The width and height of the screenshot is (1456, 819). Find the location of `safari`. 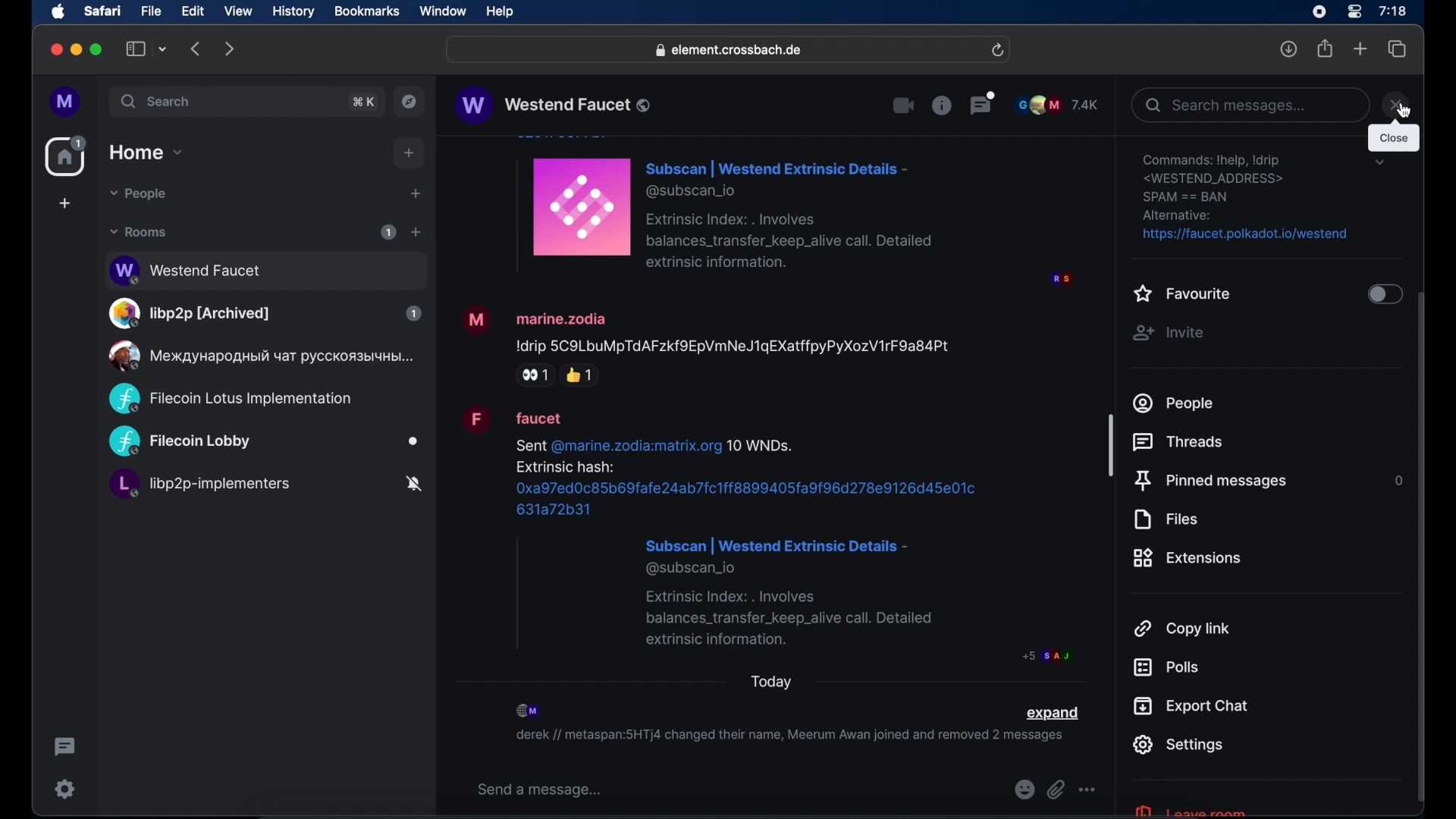

safari is located at coordinates (102, 11).